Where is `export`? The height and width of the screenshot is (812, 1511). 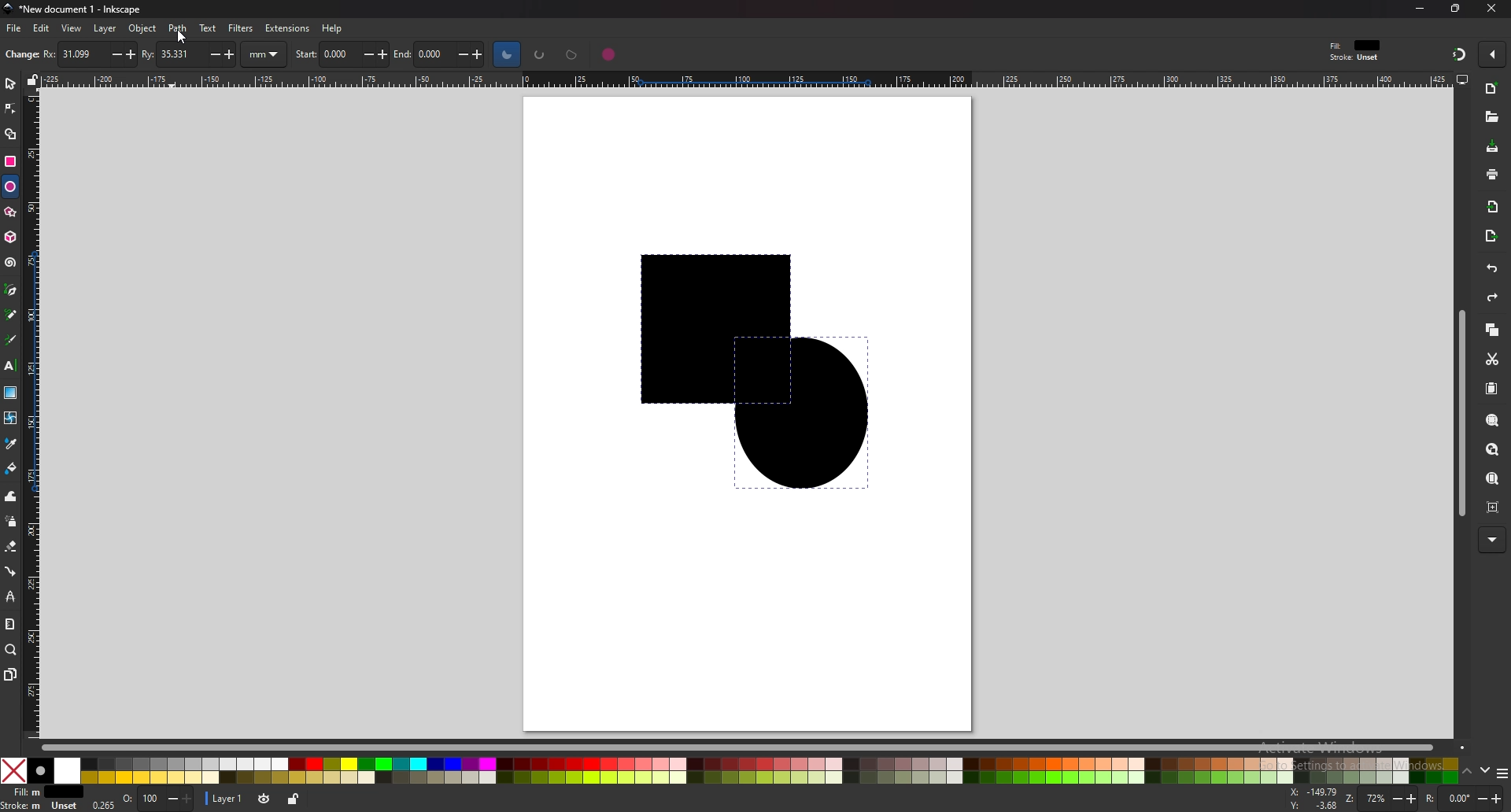
export is located at coordinates (1492, 237).